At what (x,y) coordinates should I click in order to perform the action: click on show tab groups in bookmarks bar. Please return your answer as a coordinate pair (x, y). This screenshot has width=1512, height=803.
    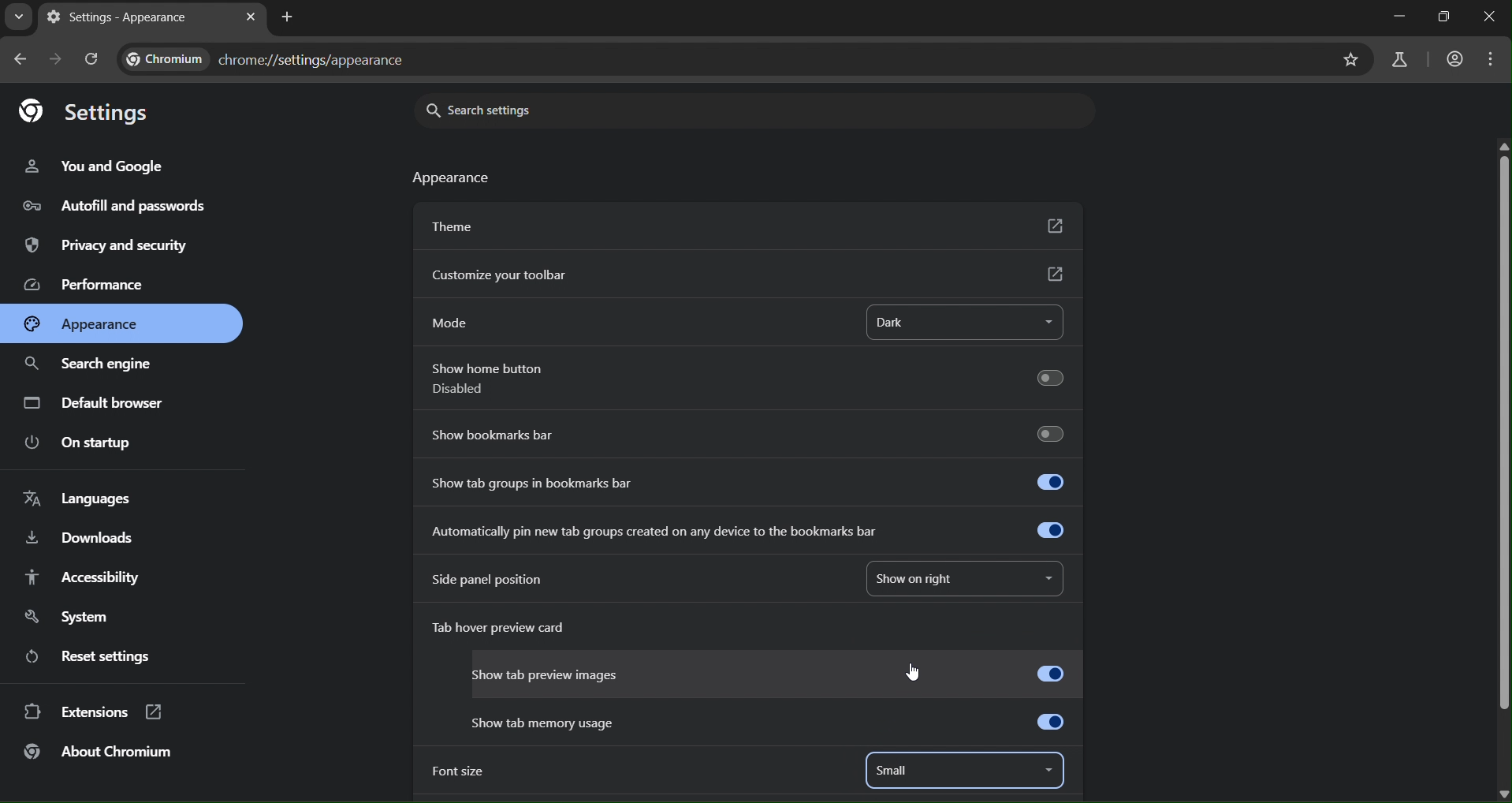
    Looking at the image, I should click on (752, 480).